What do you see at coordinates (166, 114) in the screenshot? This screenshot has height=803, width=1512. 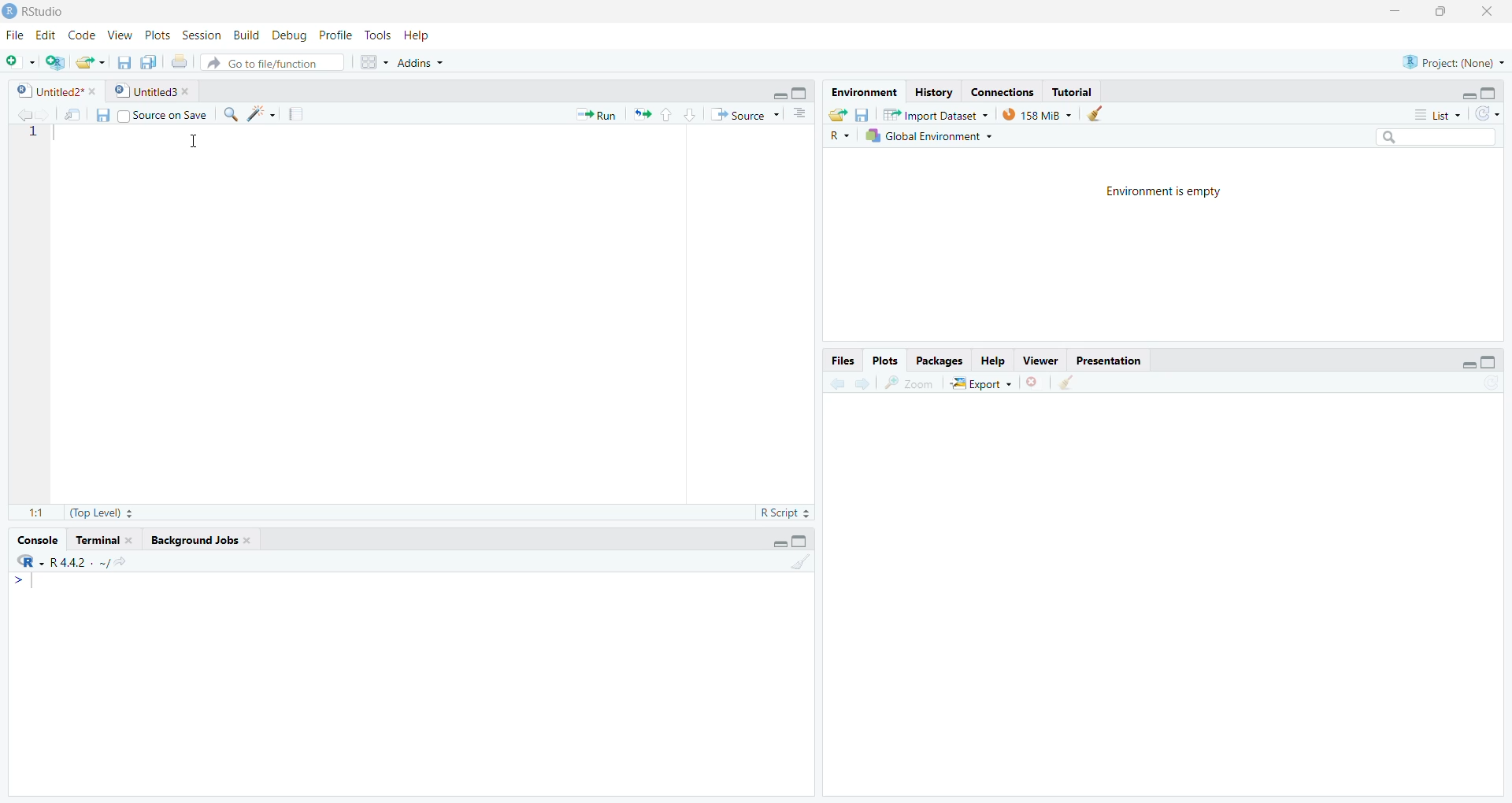 I see `Source on Save` at bounding box center [166, 114].